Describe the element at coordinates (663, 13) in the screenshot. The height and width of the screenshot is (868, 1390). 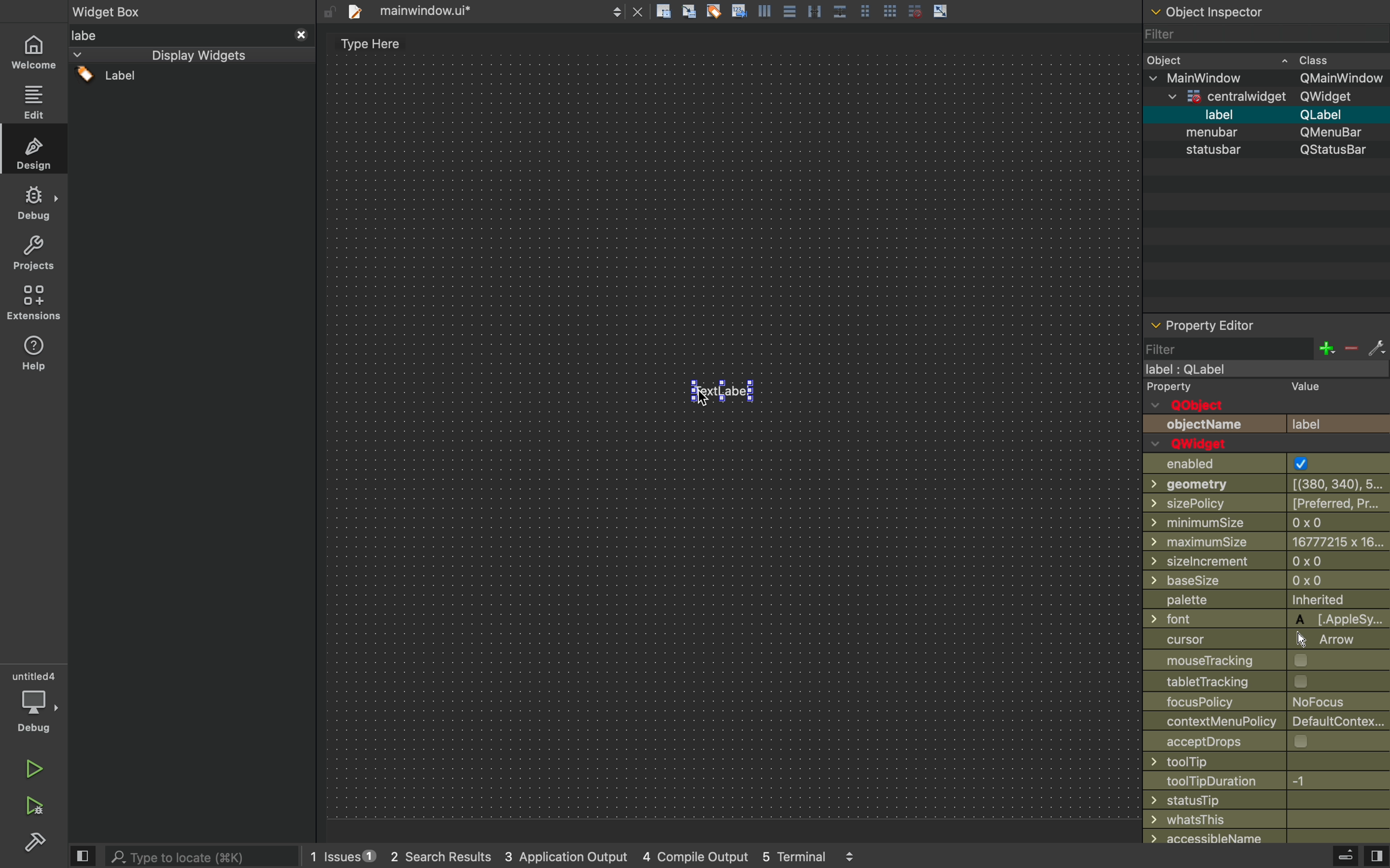
I see `file actions` at that location.